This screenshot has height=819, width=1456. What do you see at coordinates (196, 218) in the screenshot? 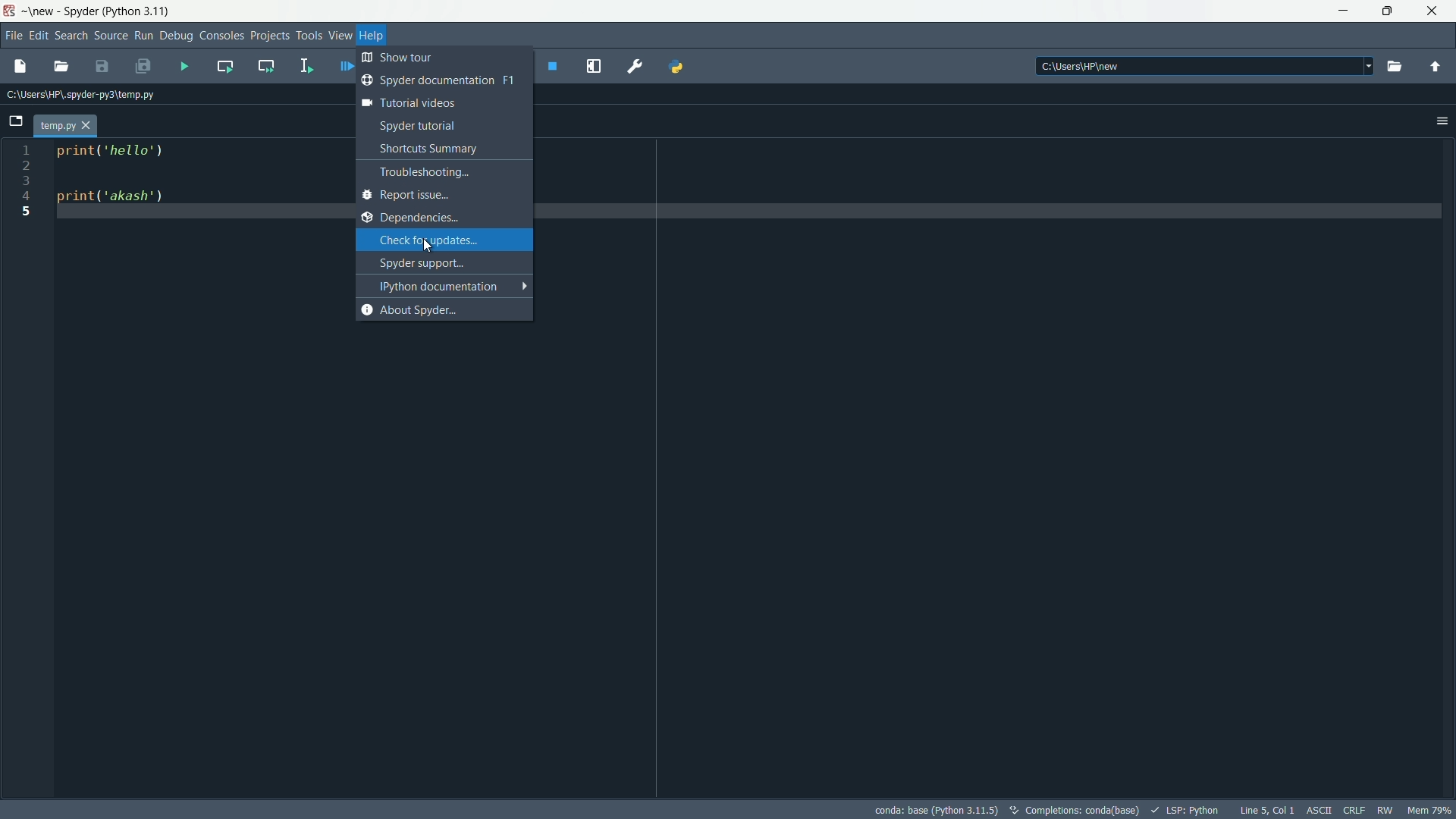
I see `print('hello') print('akash')` at bounding box center [196, 218].